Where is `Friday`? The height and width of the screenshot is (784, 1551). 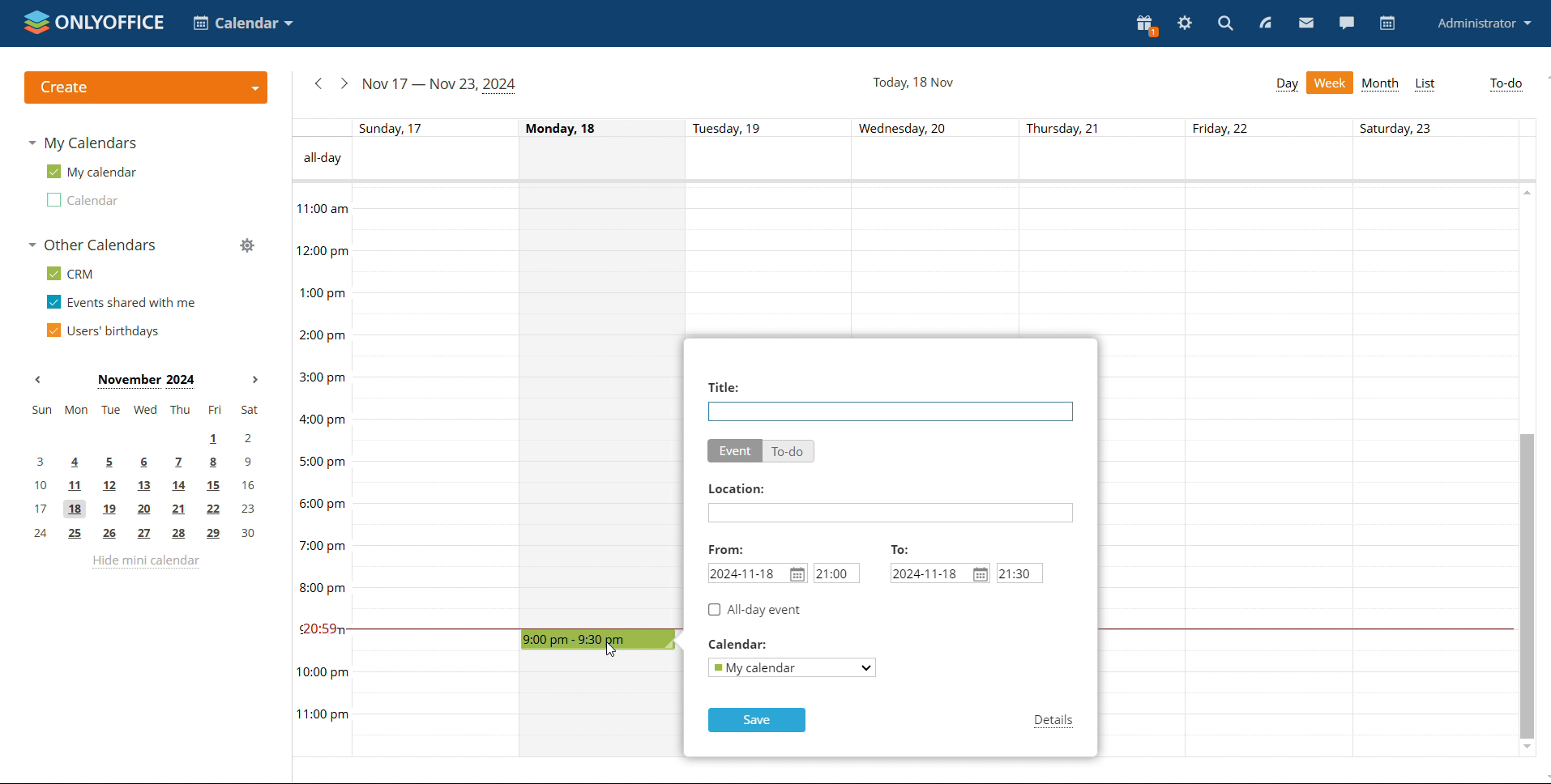 Friday is located at coordinates (1269, 471).